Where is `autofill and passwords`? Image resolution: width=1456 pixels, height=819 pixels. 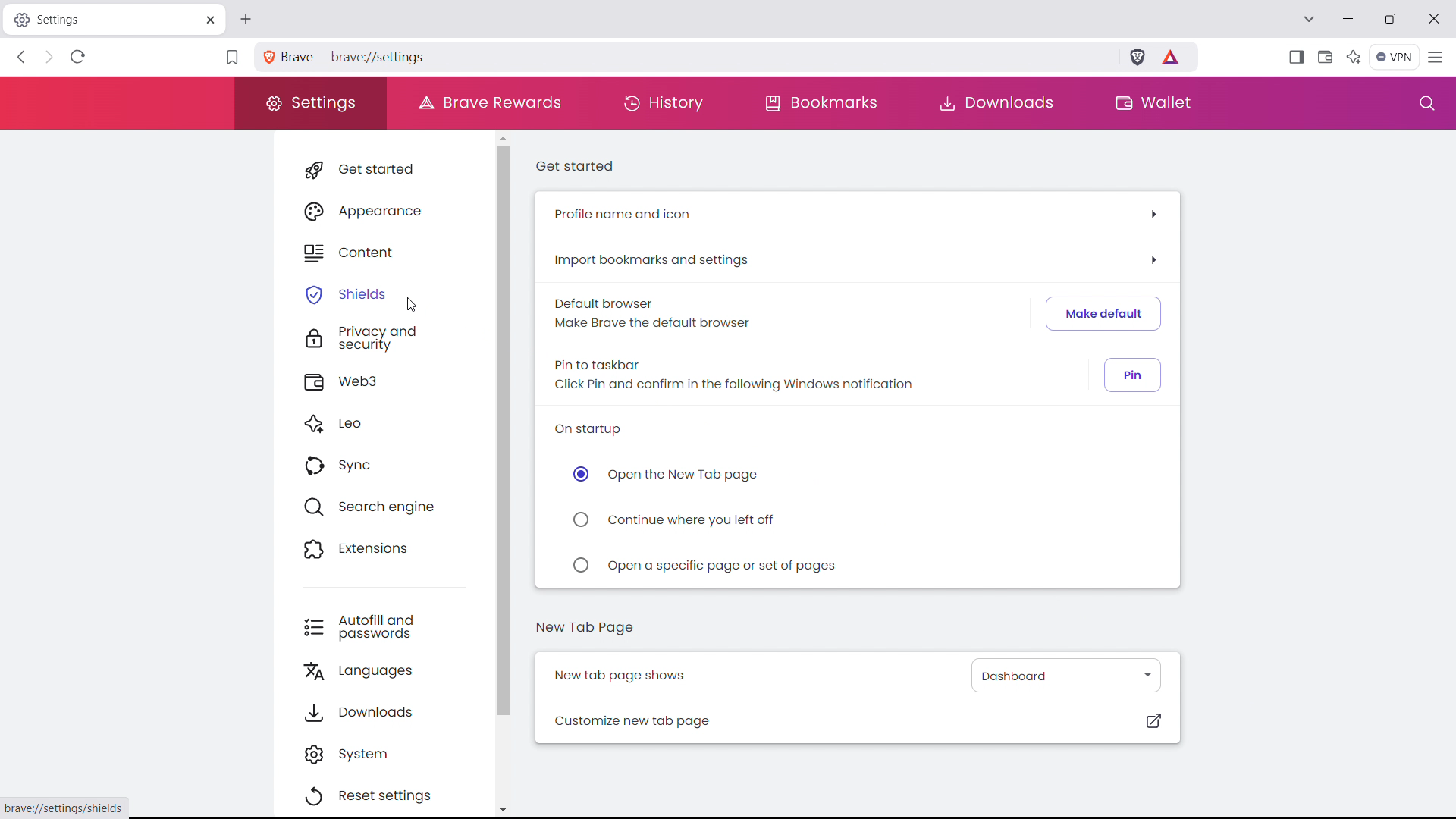
autofill and passwords is located at coordinates (382, 626).